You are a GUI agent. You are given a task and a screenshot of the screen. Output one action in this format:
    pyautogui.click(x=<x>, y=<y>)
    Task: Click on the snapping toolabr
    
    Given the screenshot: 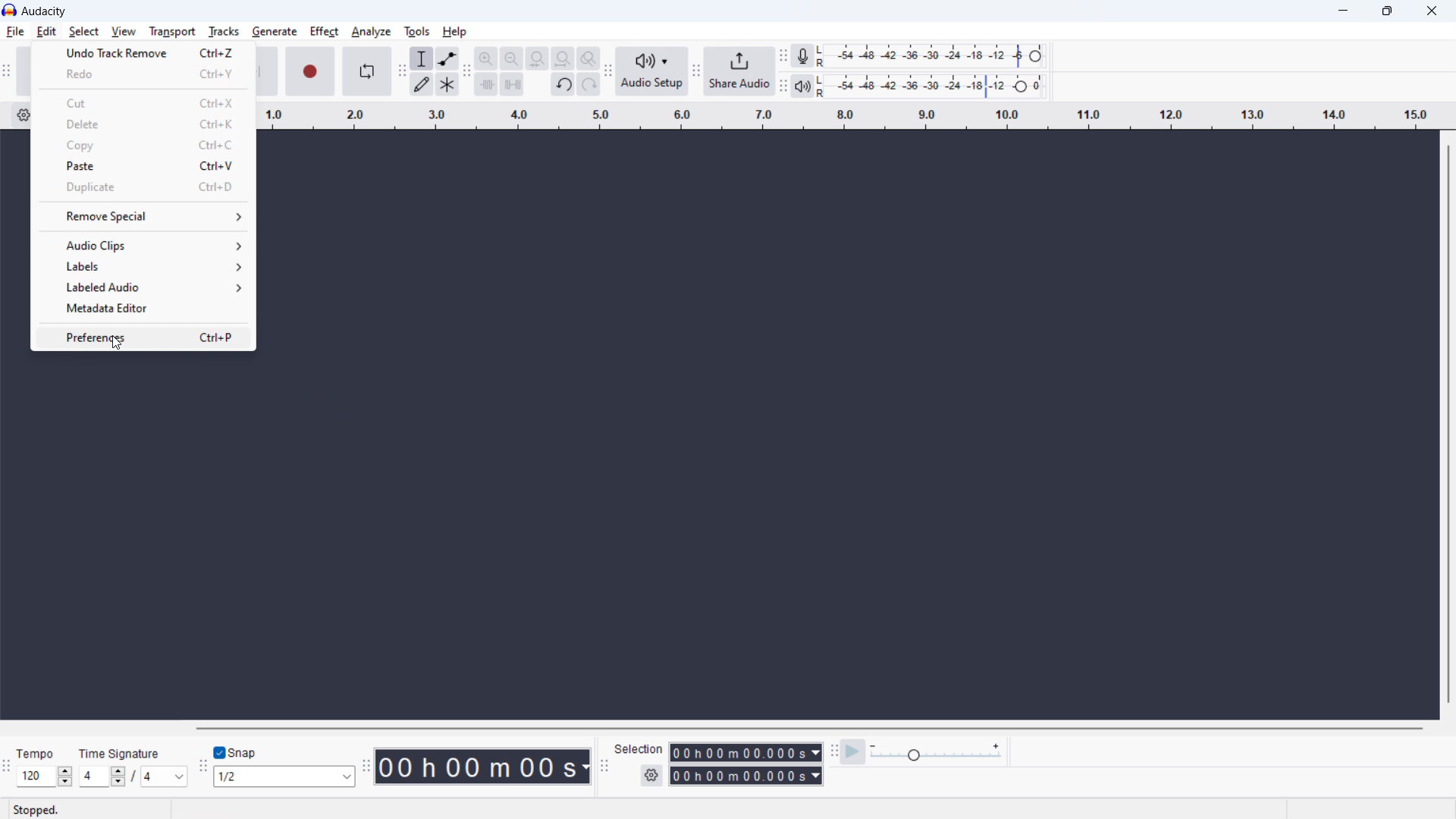 What is the action you would take?
    pyautogui.click(x=202, y=766)
    